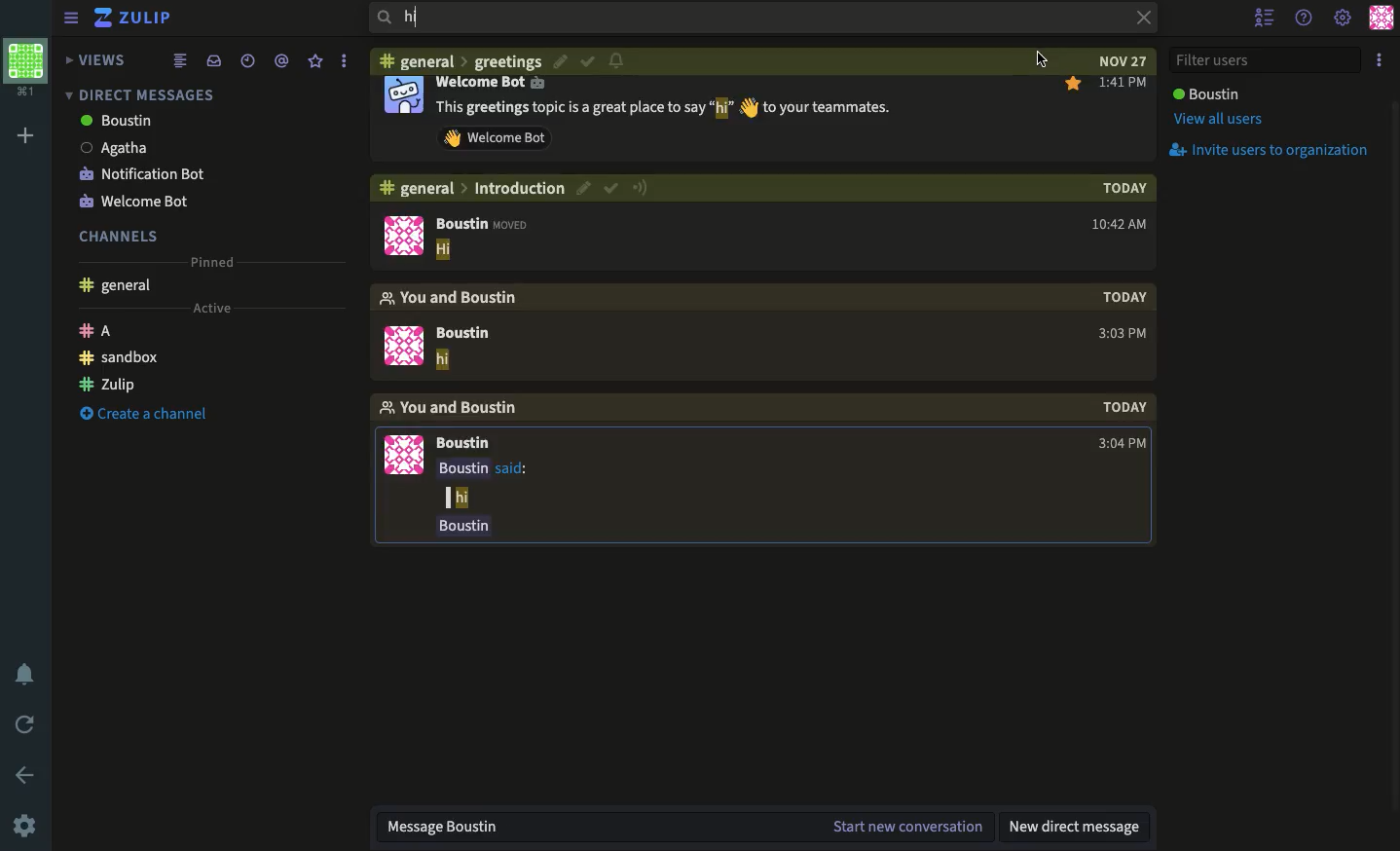  I want to click on Options, so click(1380, 61).